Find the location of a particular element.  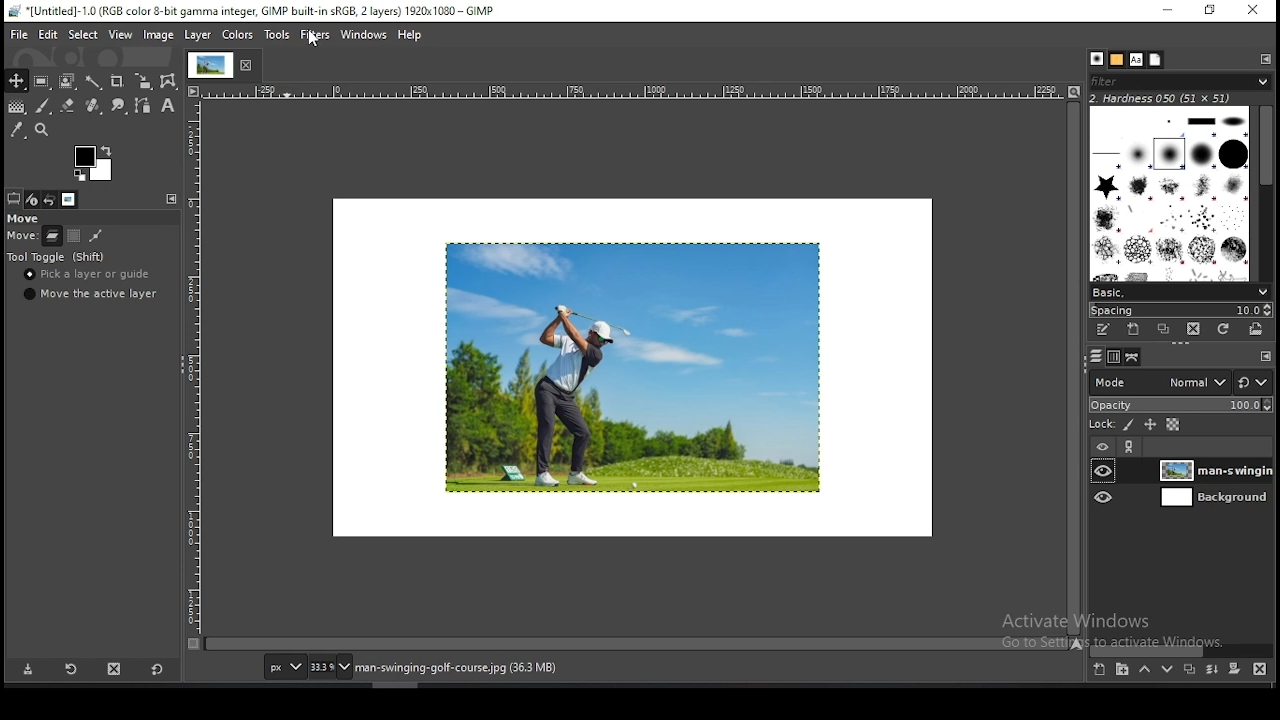

smudge tool is located at coordinates (119, 105).